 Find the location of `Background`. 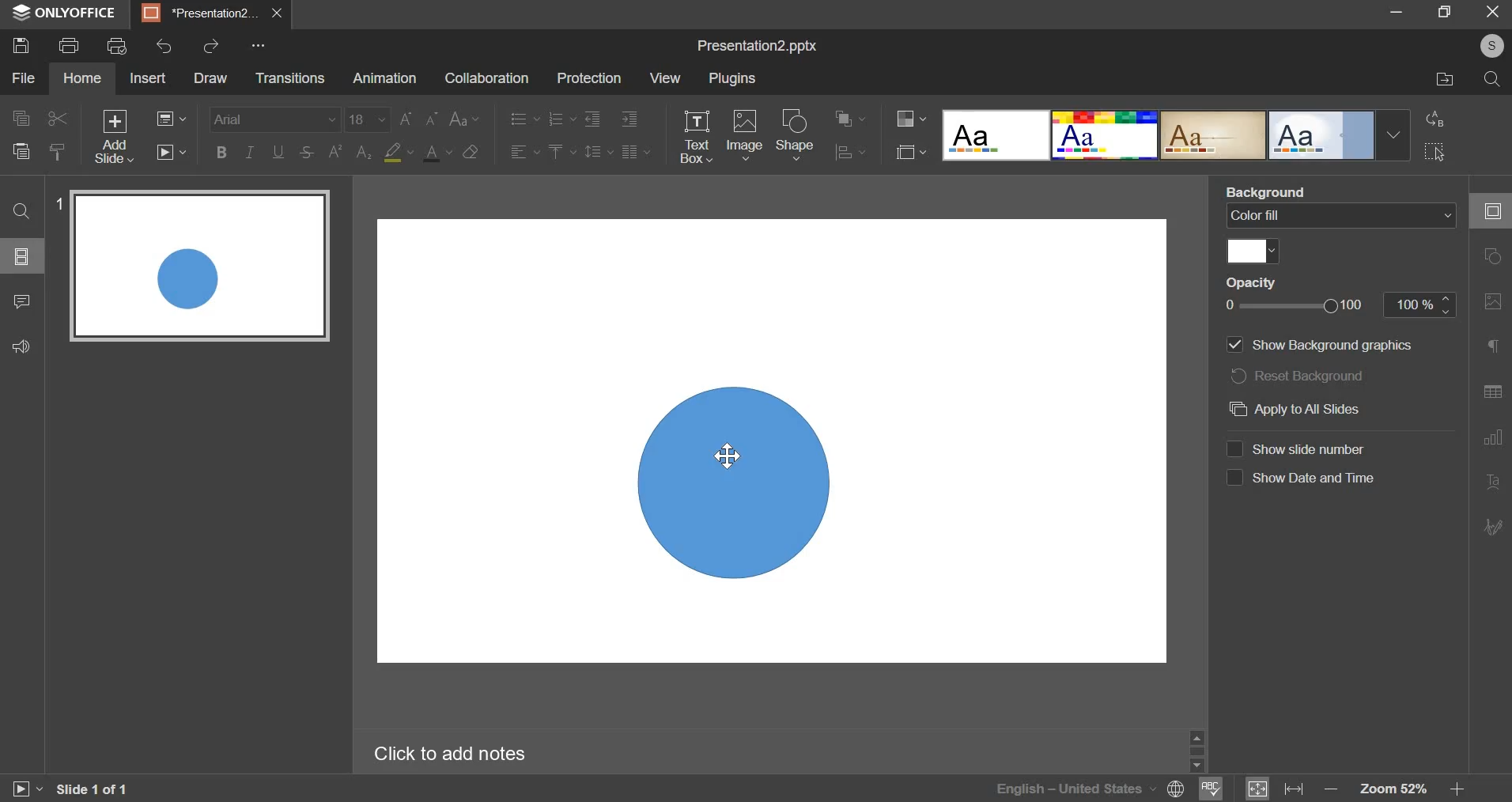

Background is located at coordinates (1259, 191).